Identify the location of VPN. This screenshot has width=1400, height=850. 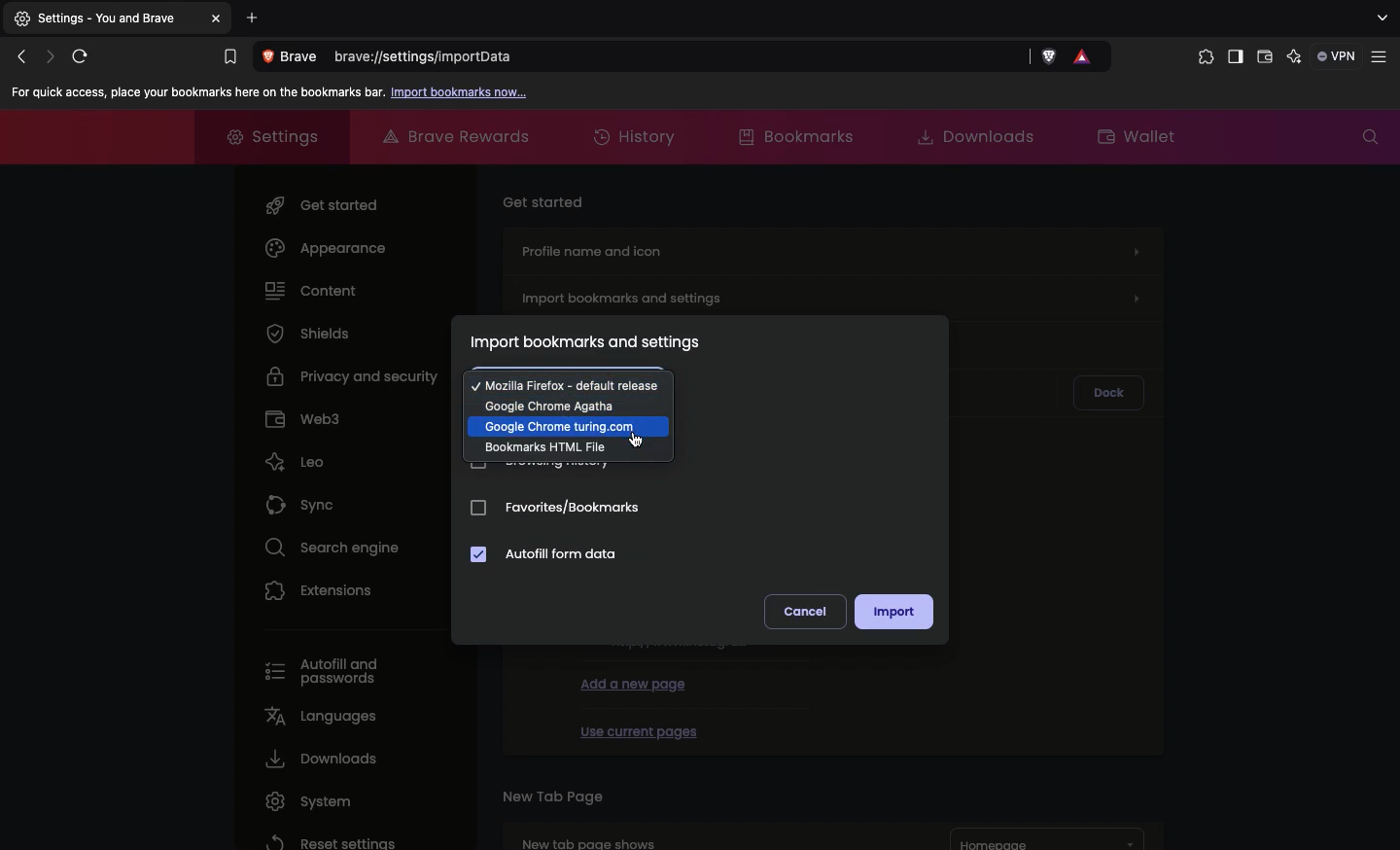
(1338, 55).